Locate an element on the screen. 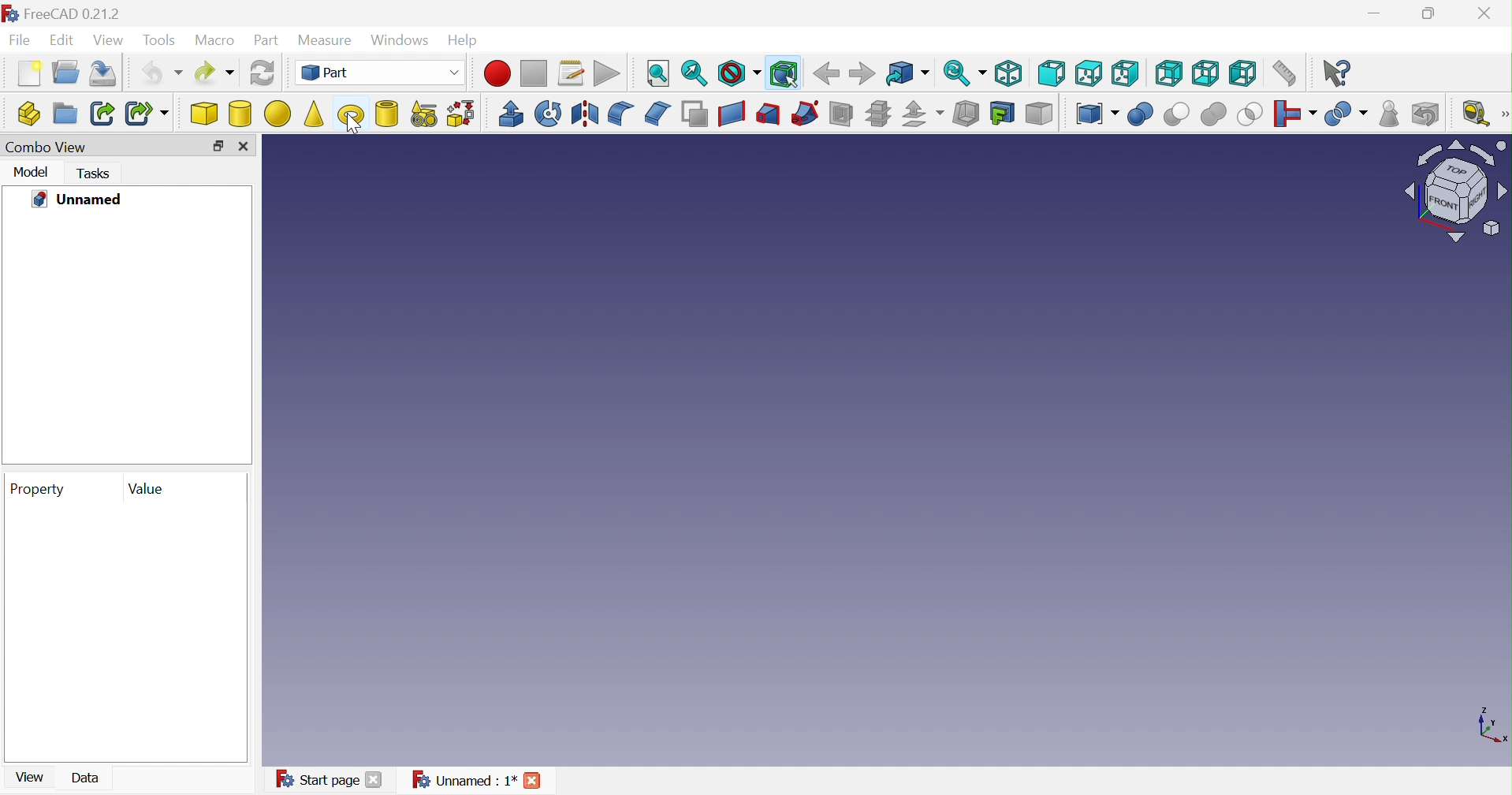 This screenshot has height=795, width=1512. Unnamed is located at coordinates (76, 198).